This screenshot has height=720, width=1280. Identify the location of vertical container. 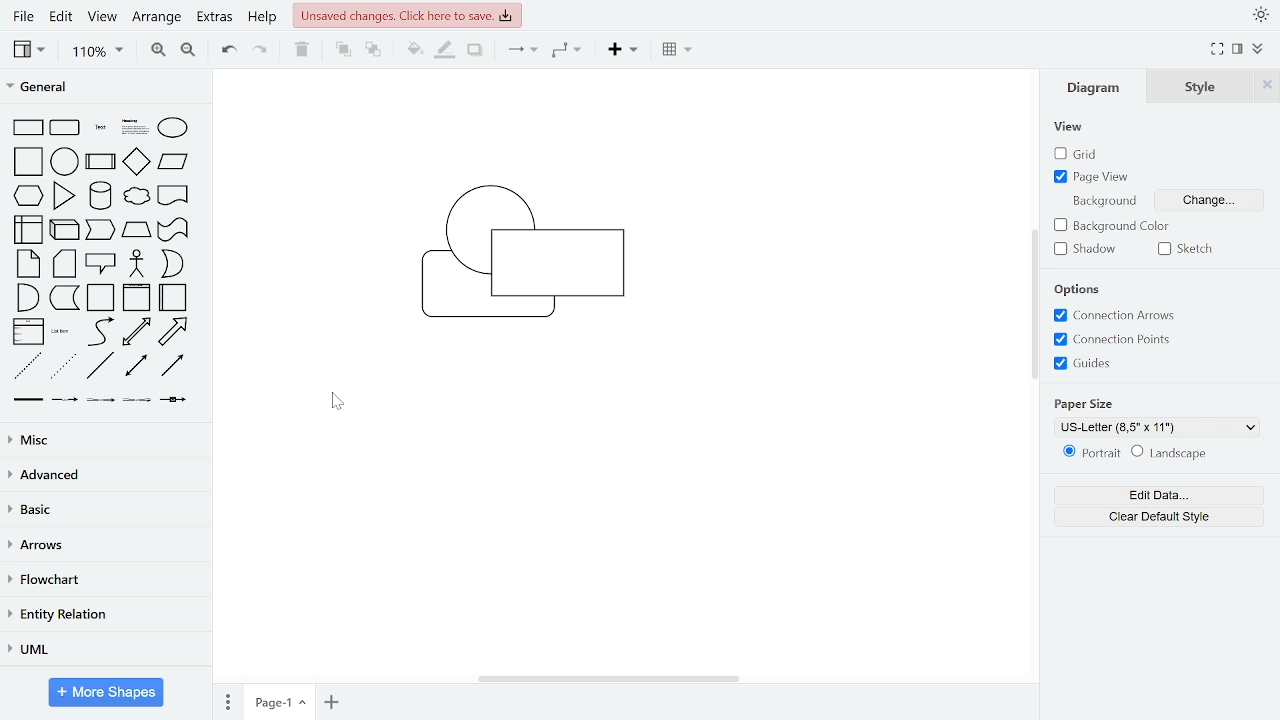
(138, 297).